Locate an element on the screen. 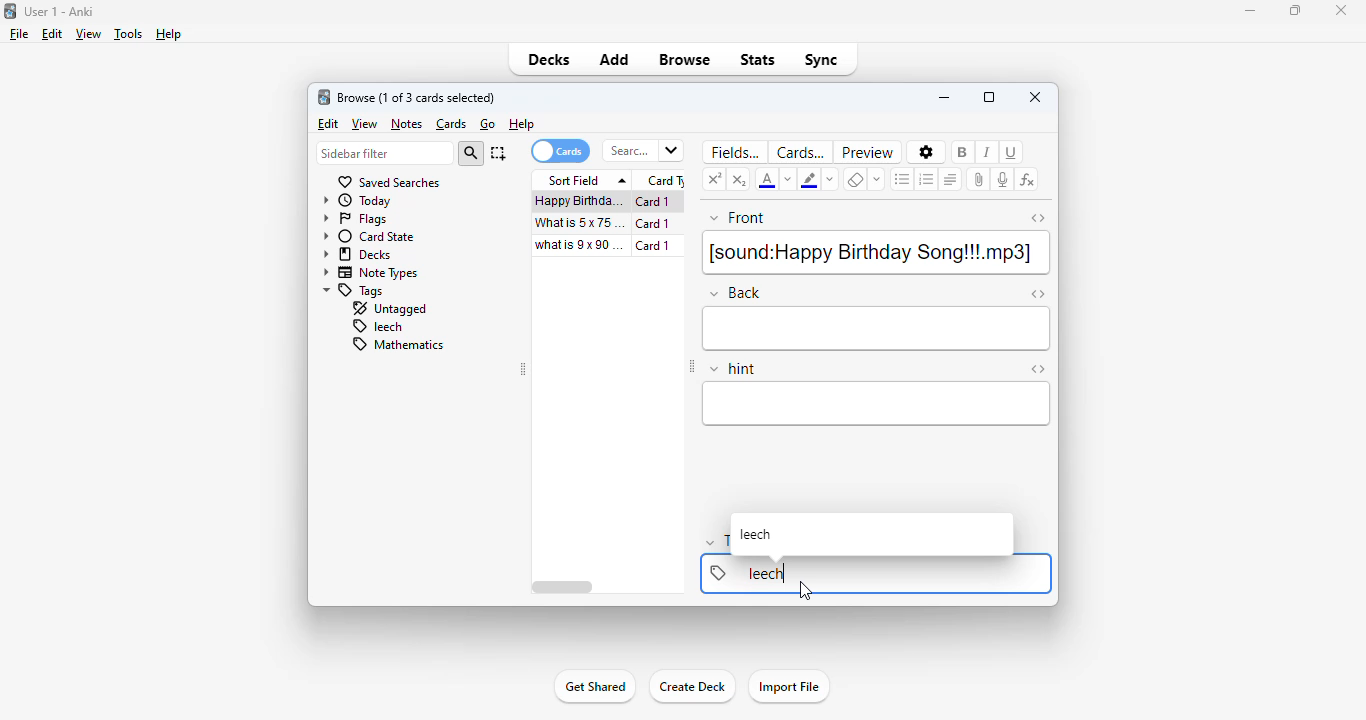 Image resolution: width=1366 pixels, height=720 pixels. superscript is located at coordinates (715, 178).